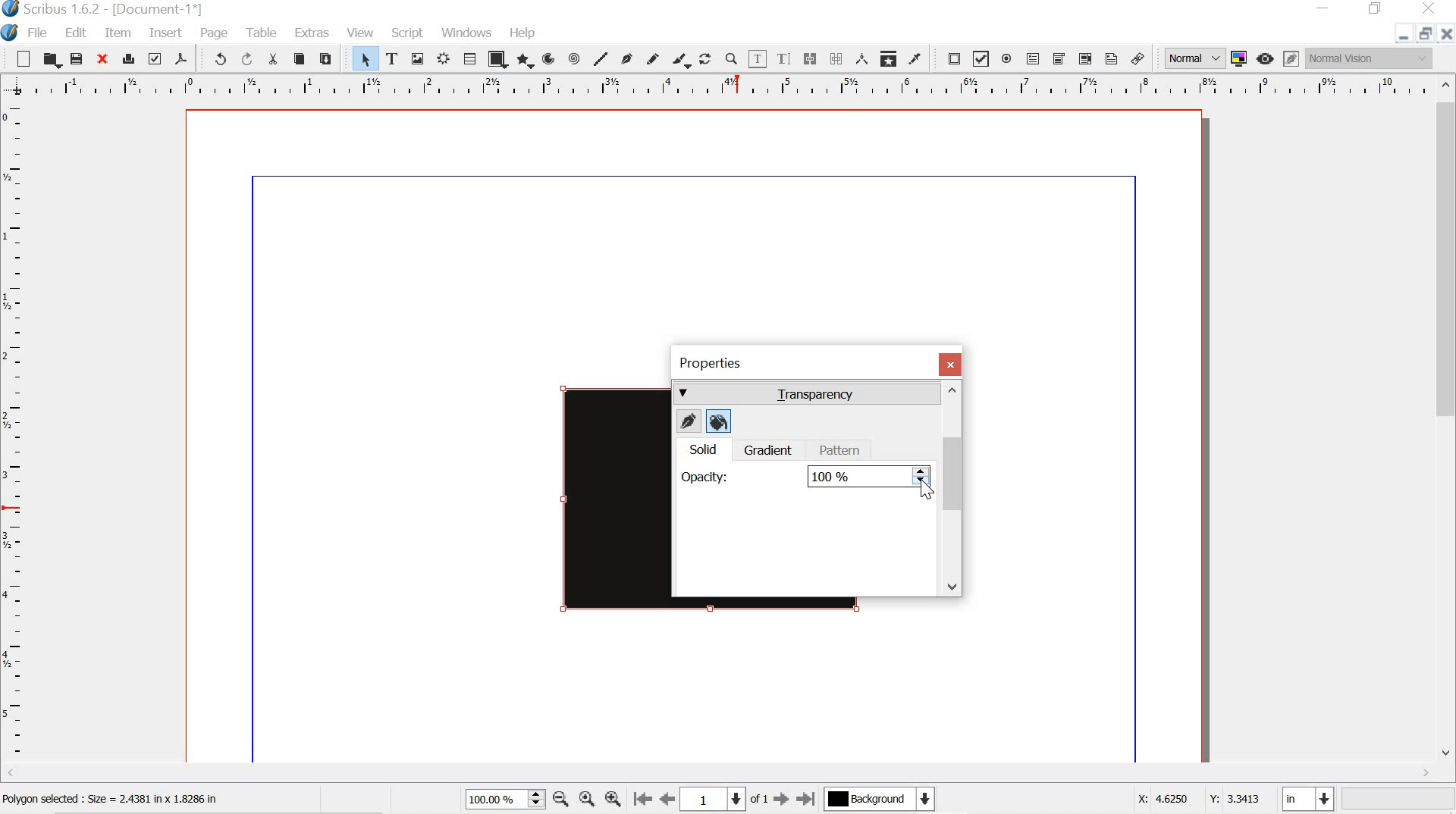  Describe the element at coordinates (210, 31) in the screenshot. I see `page` at that location.